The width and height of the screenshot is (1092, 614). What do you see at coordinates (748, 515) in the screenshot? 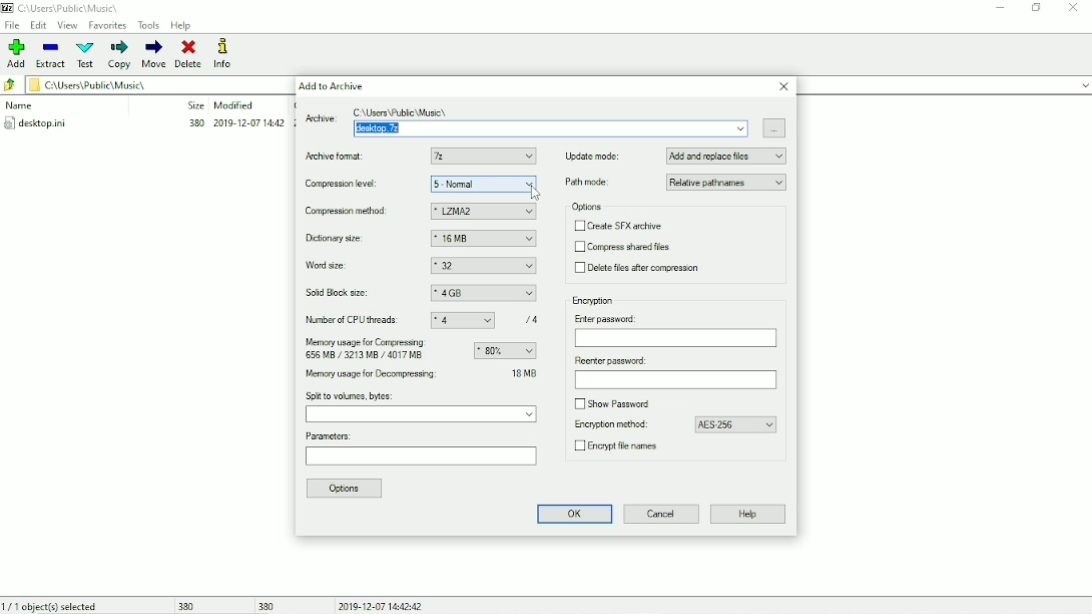
I see `Help` at bounding box center [748, 515].